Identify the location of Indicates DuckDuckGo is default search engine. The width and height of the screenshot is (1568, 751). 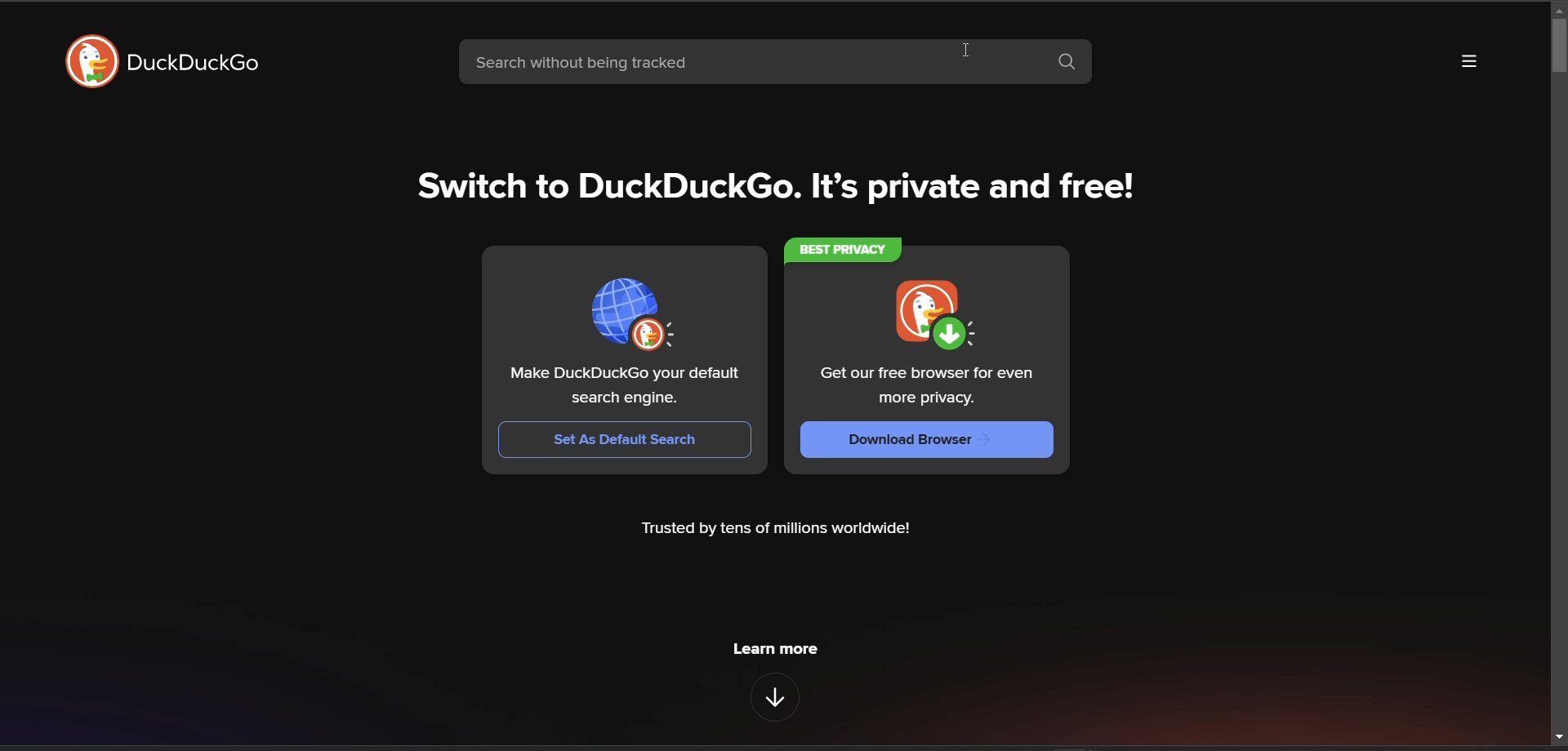
(635, 314).